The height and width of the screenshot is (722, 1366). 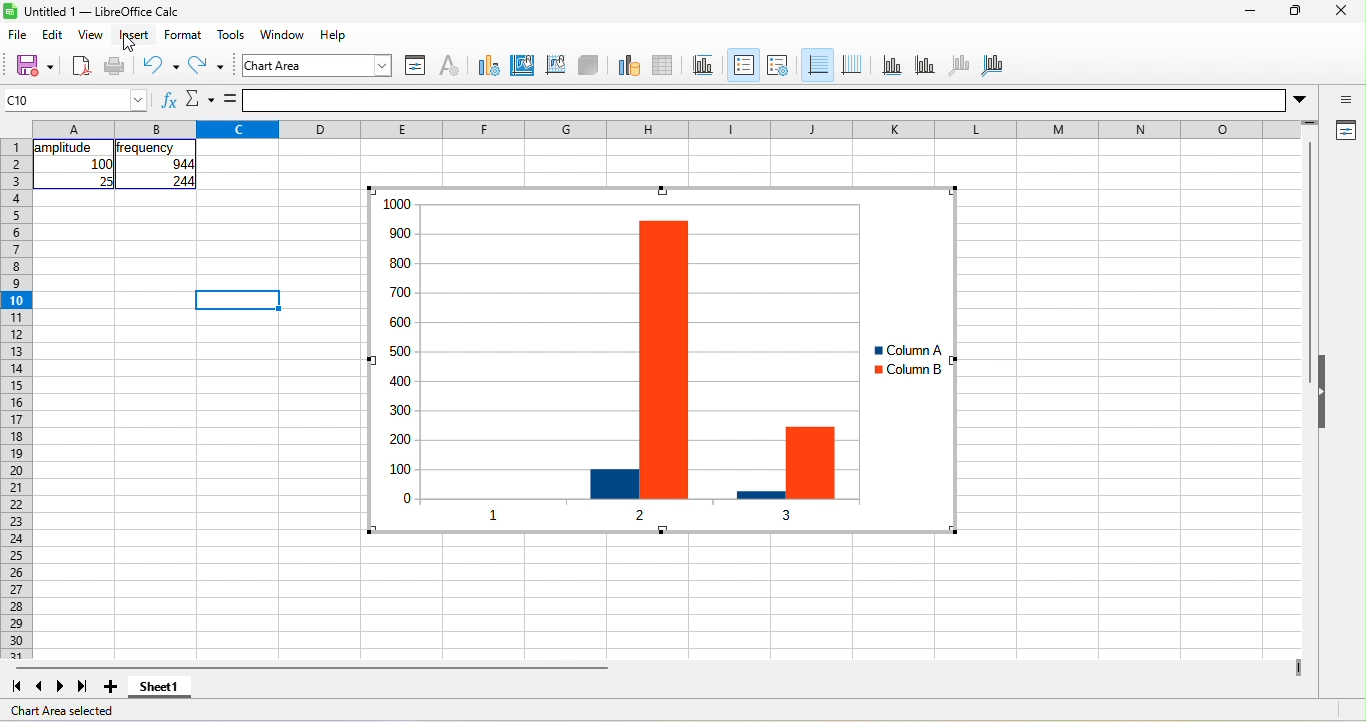 What do you see at coordinates (115, 67) in the screenshot?
I see `print` at bounding box center [115, 67].